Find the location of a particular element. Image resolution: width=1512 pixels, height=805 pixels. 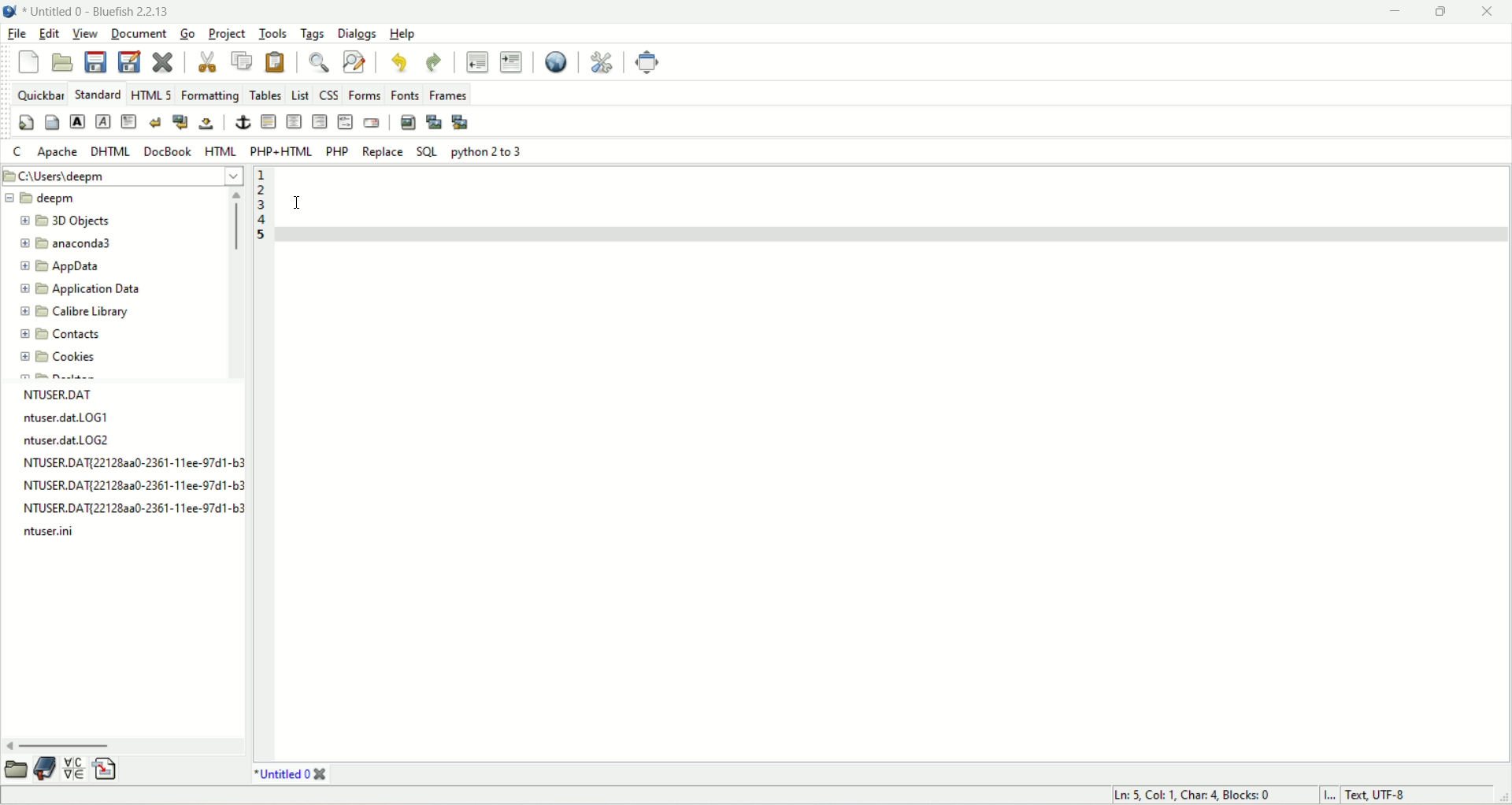

undo is located at coordinates (396, 61).